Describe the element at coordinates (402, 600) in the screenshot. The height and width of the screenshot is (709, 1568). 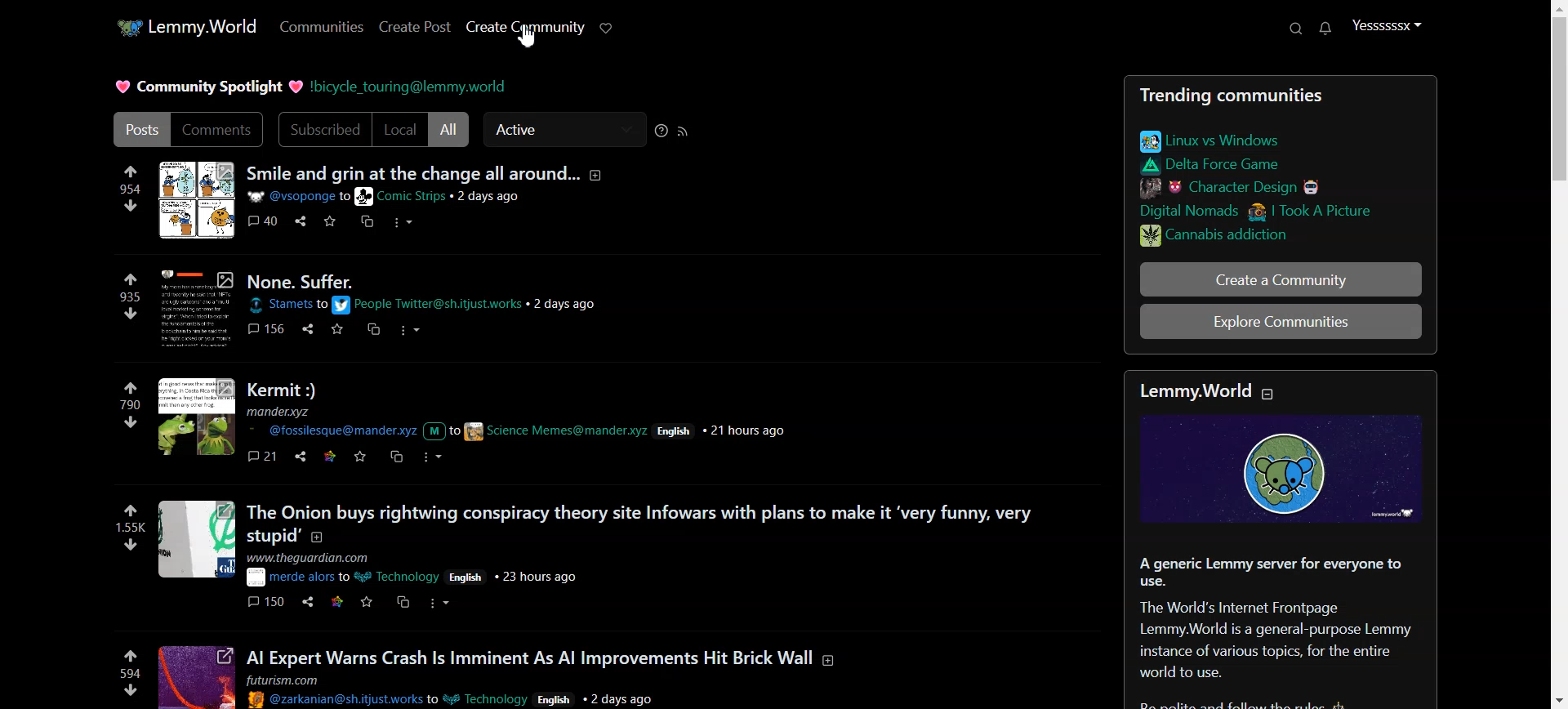
I see `cross share` at that location.